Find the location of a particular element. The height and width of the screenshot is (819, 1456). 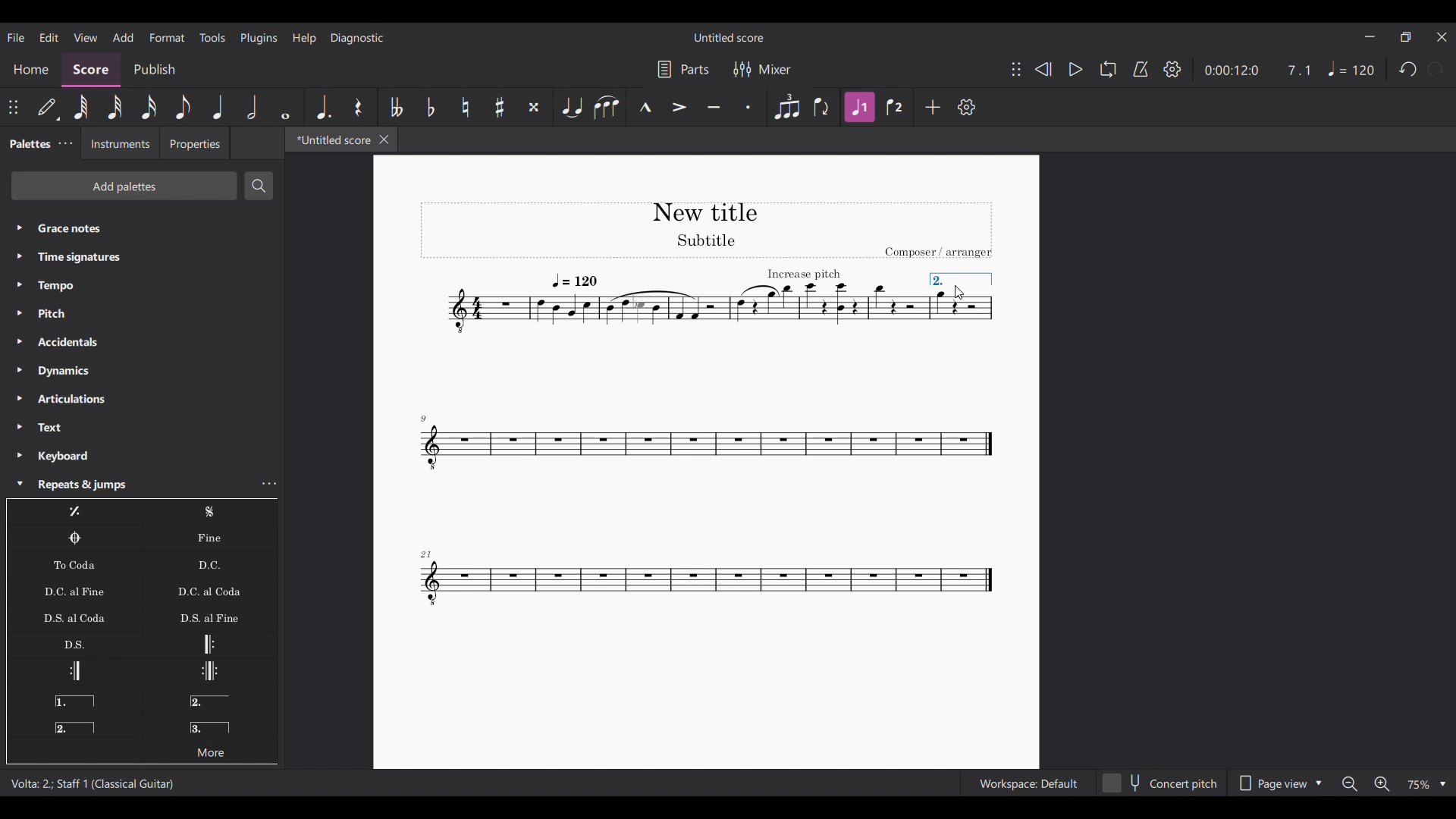

Tenuto is located at coordinates (714, 107).